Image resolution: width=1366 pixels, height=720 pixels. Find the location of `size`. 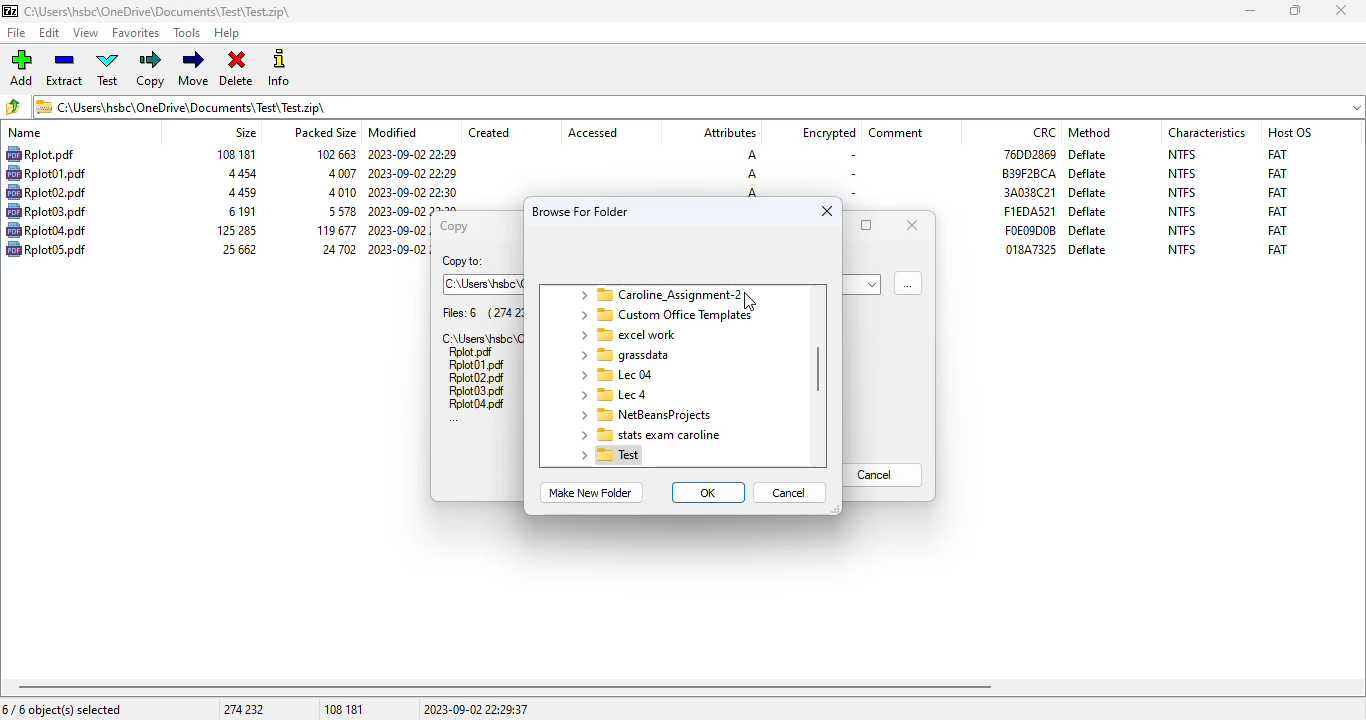

size is located at coordinates (245, 132).